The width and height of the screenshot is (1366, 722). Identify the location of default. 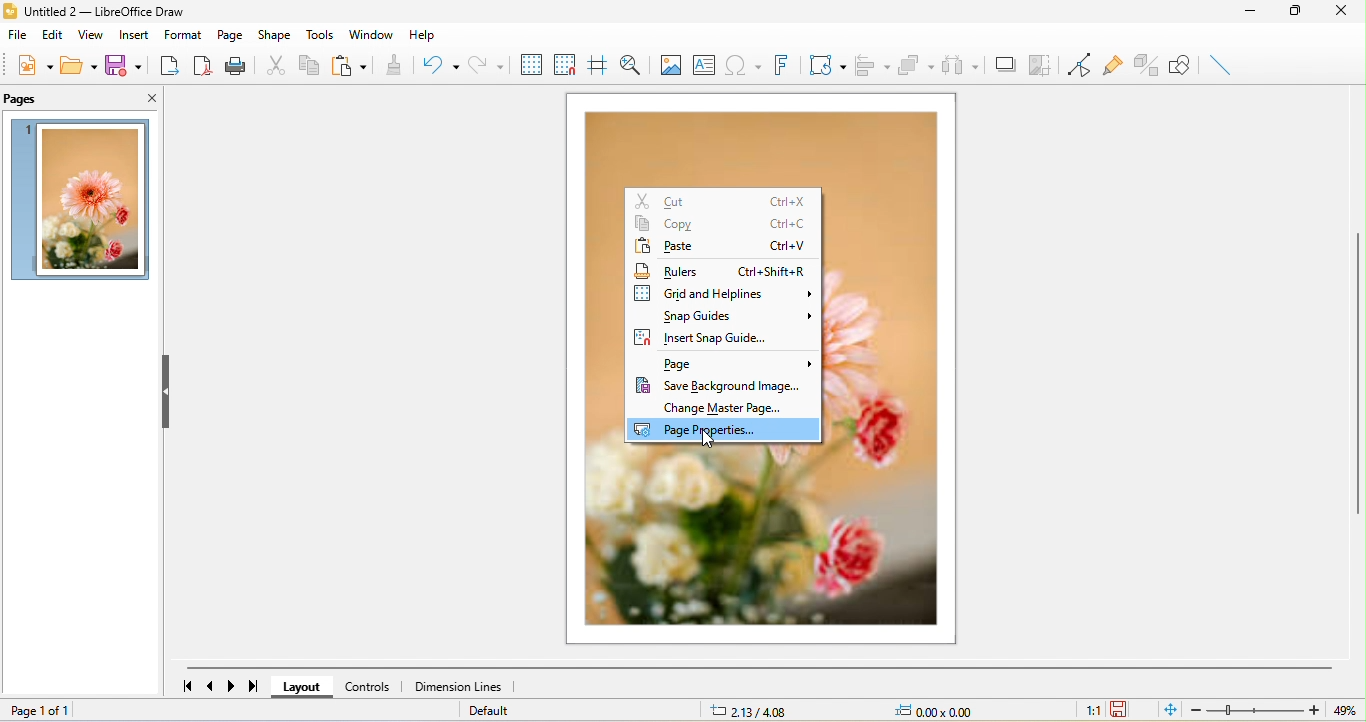
(491, 711).